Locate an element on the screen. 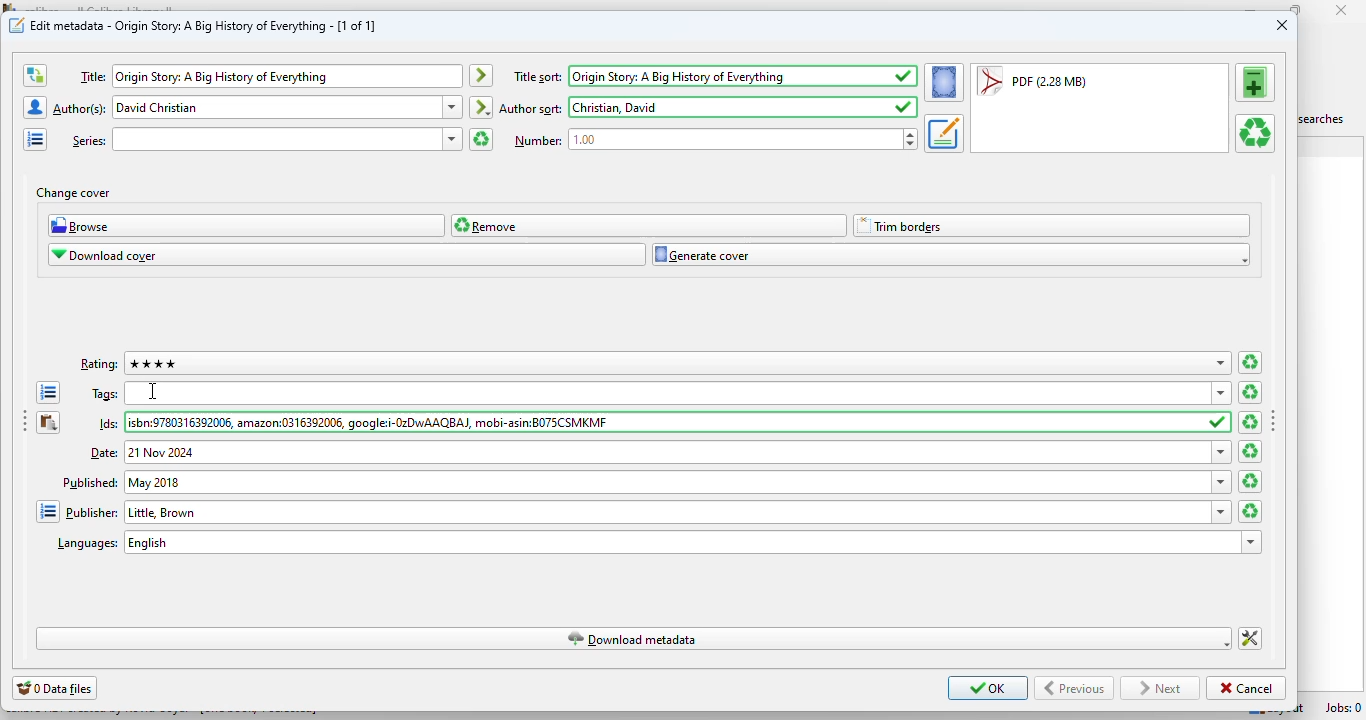  paste is located at coordinates (47, 422).